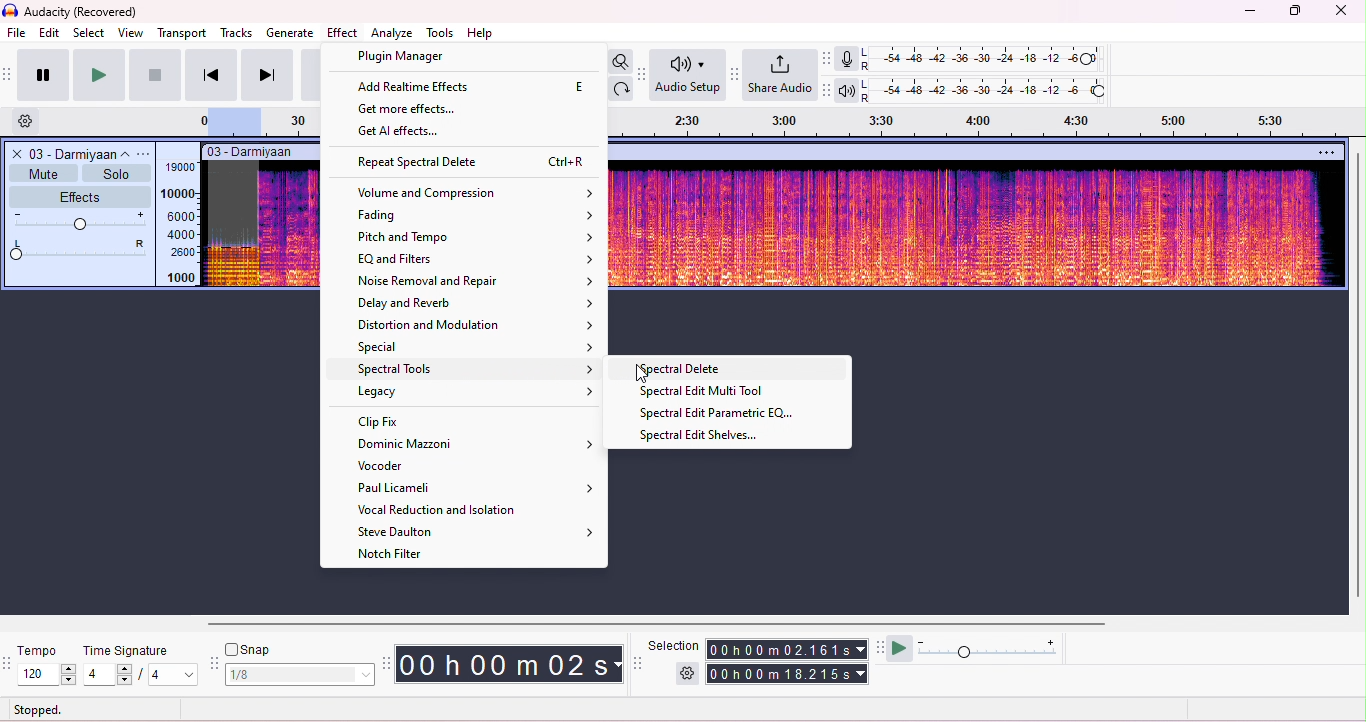 This screenshot has height=722, width=1366. Describe the element at coordinates (988, 90) in the screenshot. I see `playback level` at that location.